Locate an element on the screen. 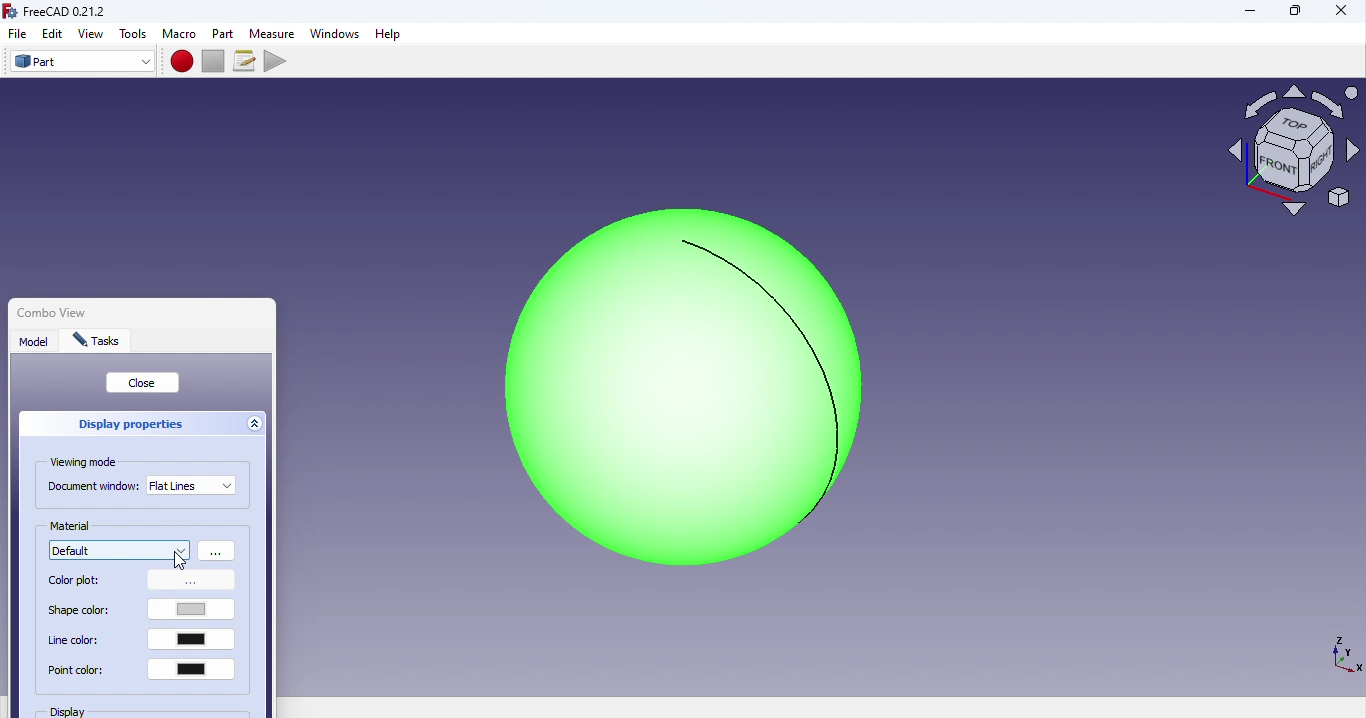 The image size is (1366, 718). Navigation cube is located at coordinates (1293, 158).